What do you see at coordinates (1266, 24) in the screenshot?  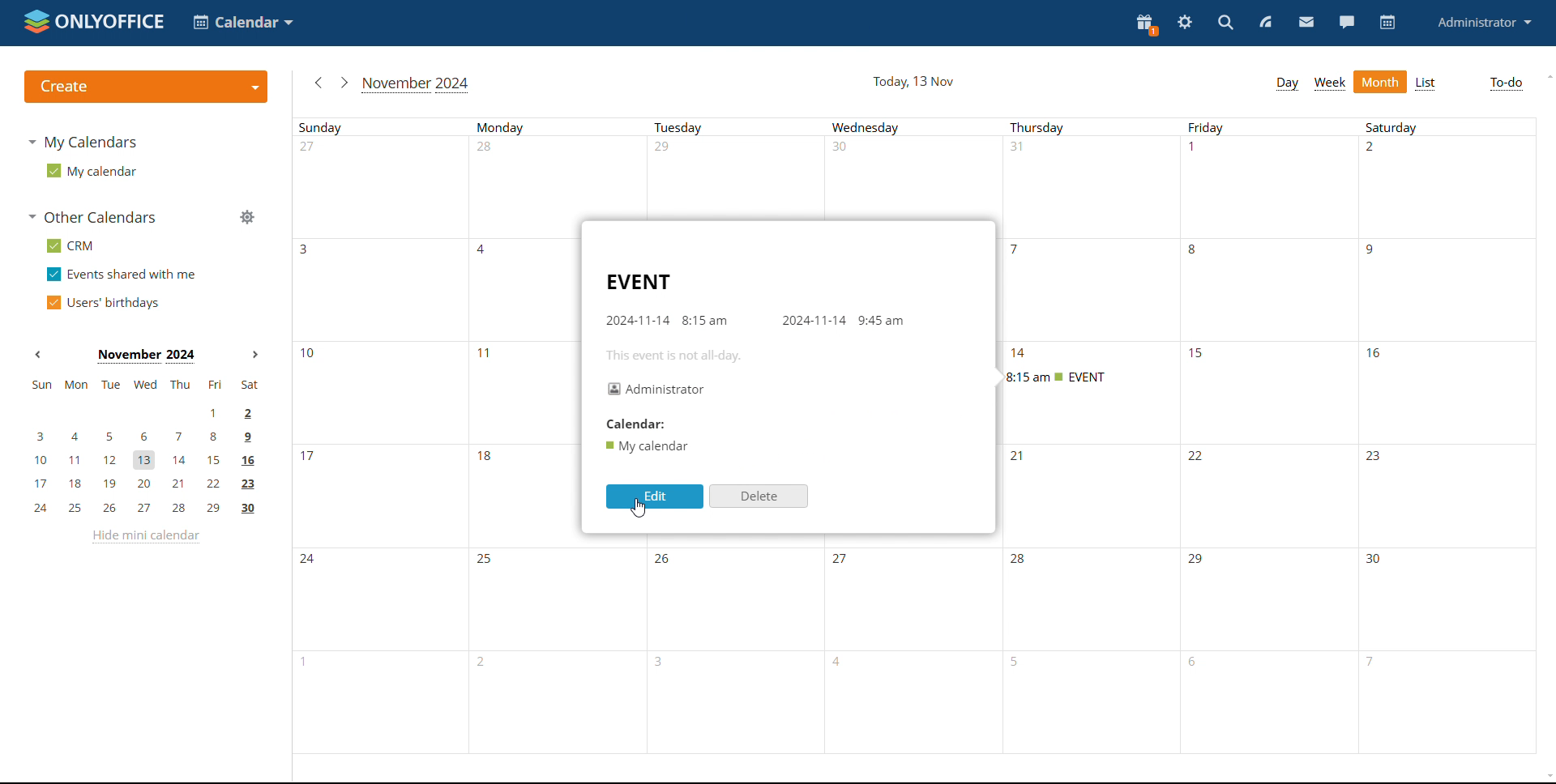 I see `feed` at bounding box center [1266, 24].